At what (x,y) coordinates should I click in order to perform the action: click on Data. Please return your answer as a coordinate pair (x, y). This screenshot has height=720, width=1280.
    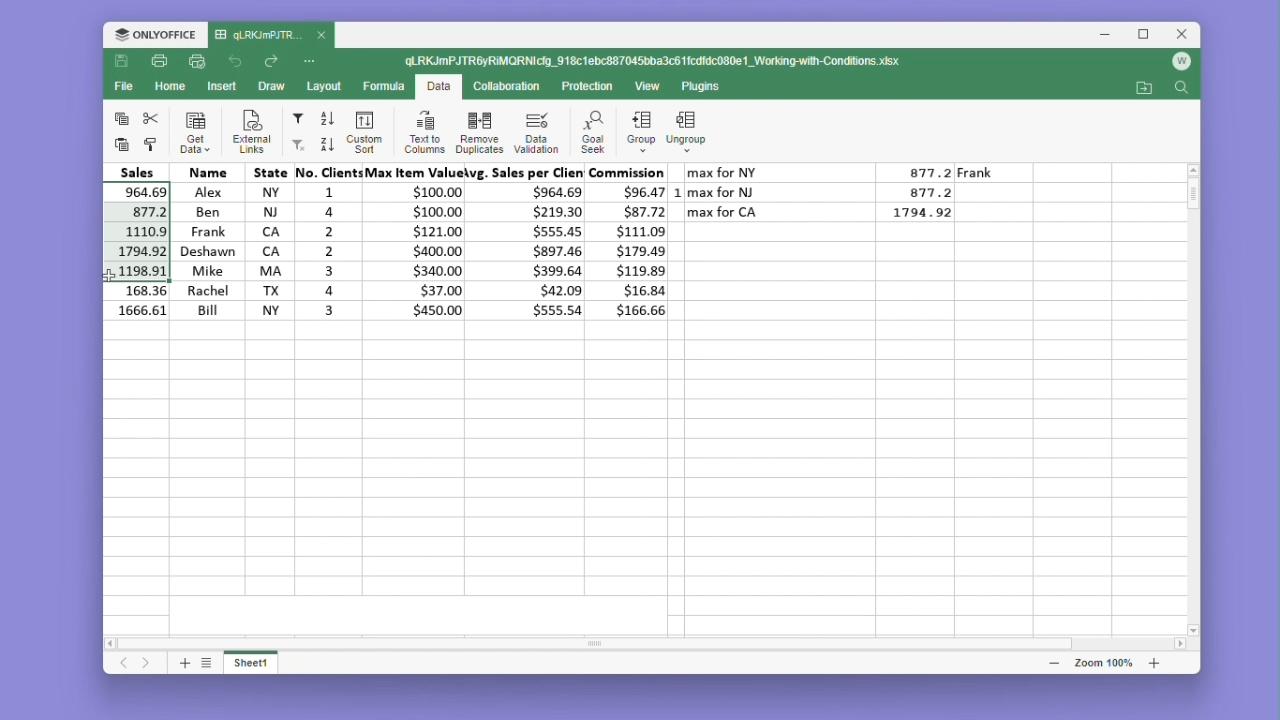
    Looking at the image, I should click on (423, 250).